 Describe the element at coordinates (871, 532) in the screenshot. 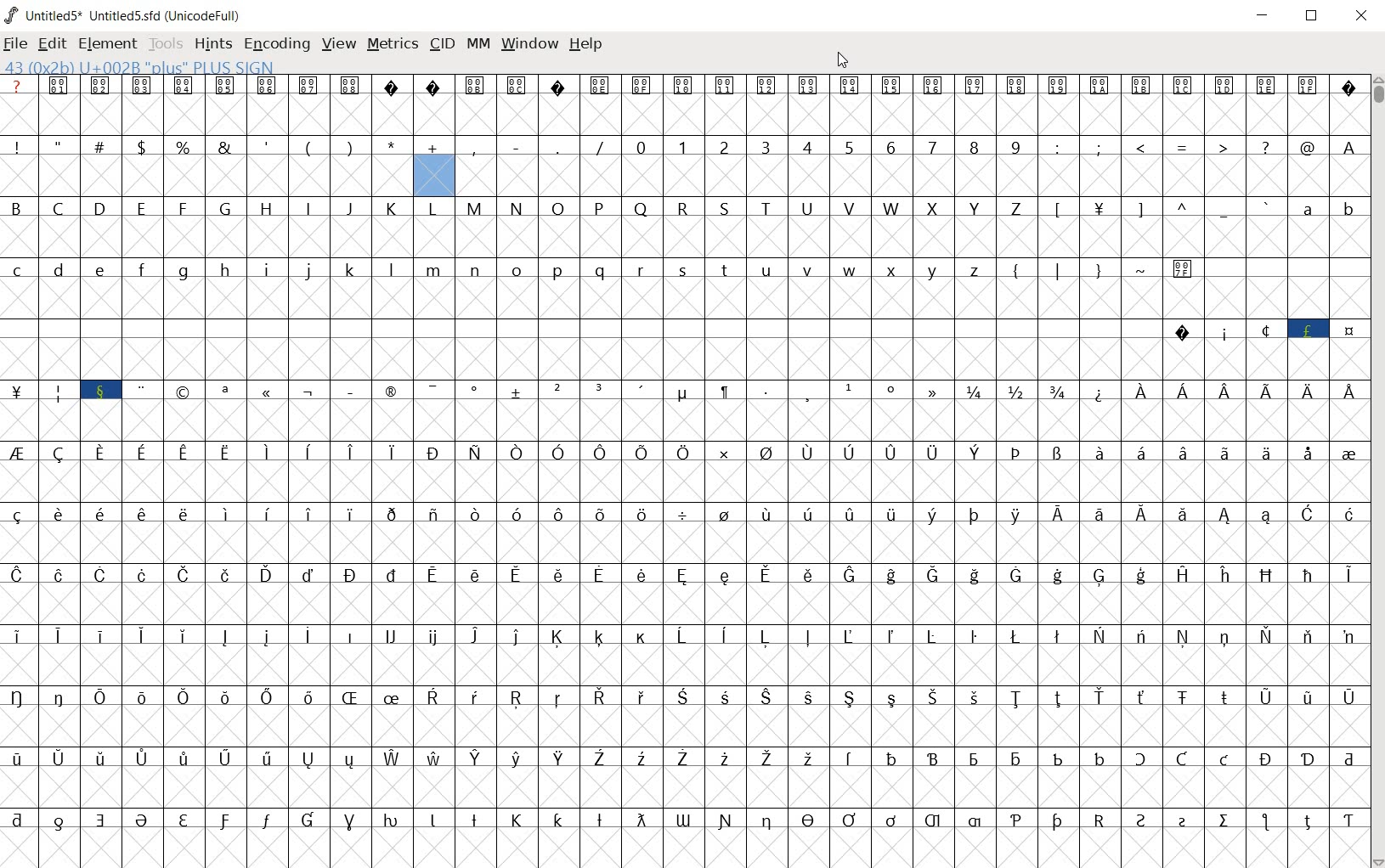

I see `accented characters` at that location.